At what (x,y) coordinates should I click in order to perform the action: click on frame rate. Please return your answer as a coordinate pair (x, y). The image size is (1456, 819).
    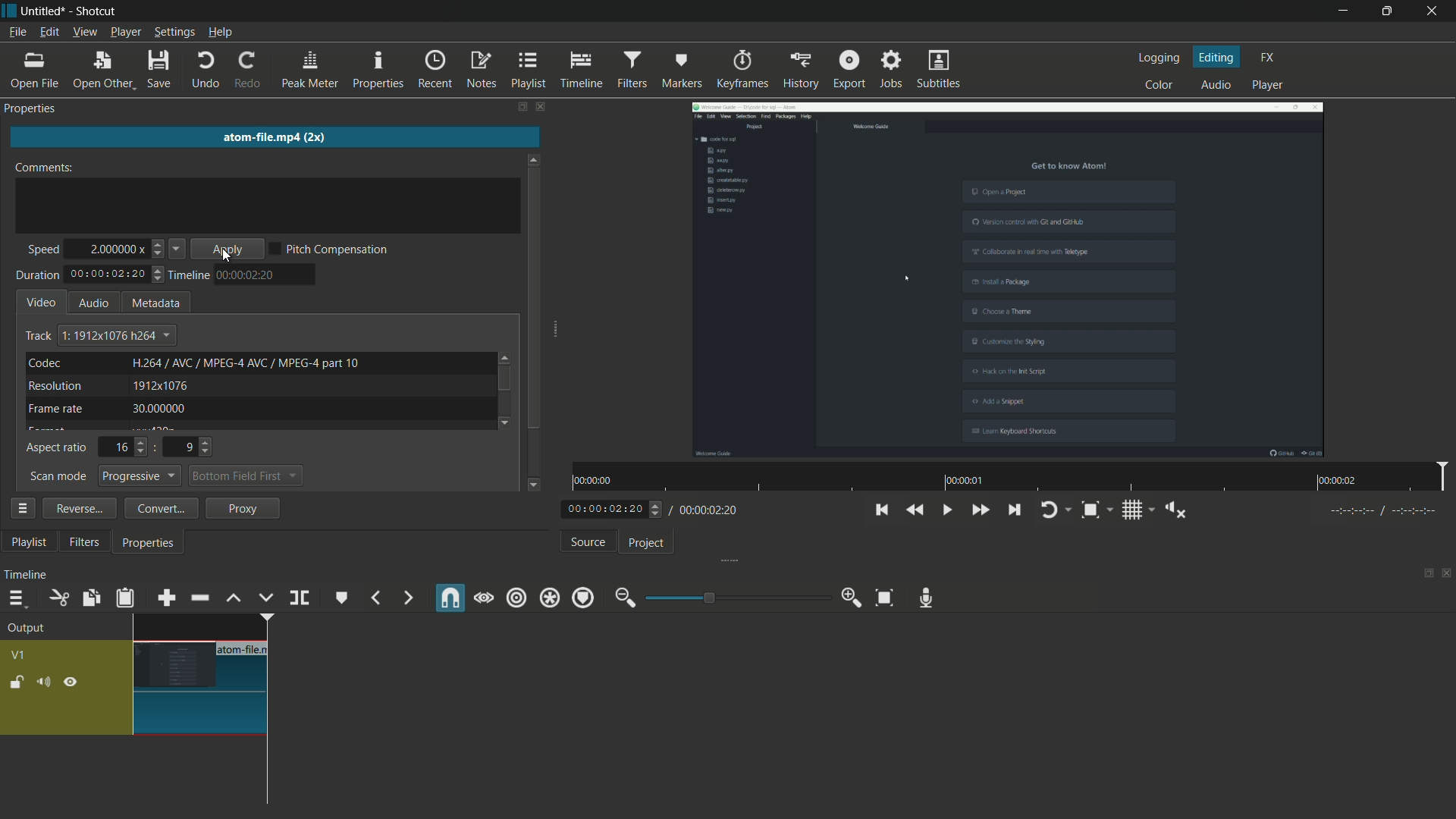
    Looking at the image, I should click on (55, 409).